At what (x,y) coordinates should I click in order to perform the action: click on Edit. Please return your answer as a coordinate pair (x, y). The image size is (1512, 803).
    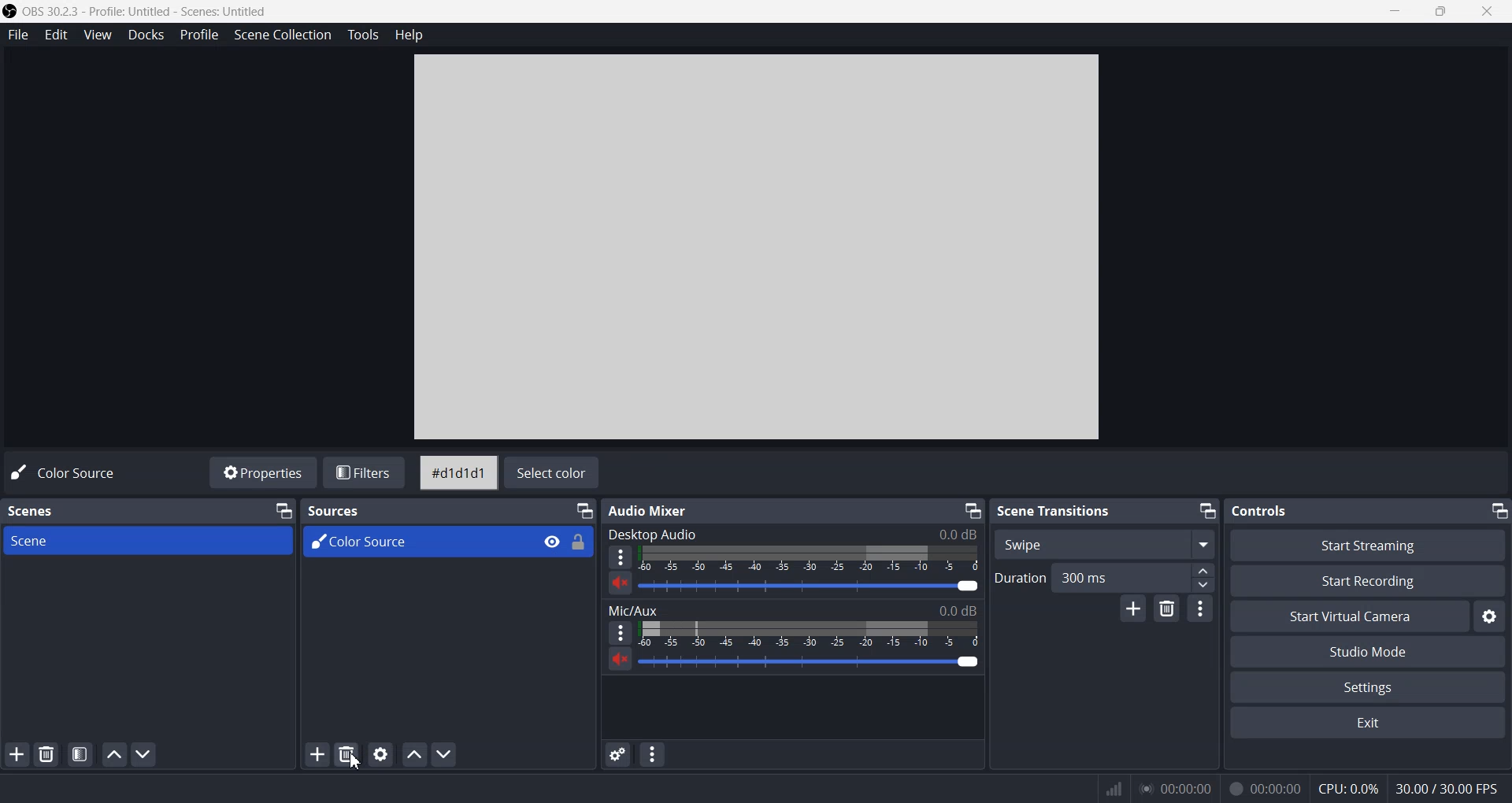
    Looking at the image, I should click on (57, 35).